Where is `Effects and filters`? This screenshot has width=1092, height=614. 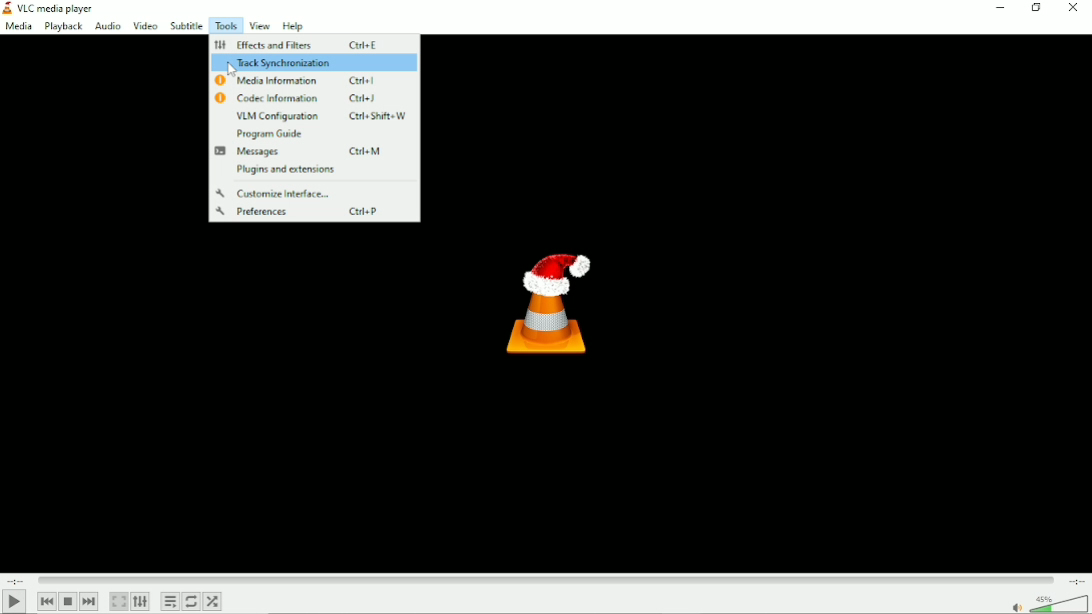
Effects and filters is located at coordinates (297, 43).